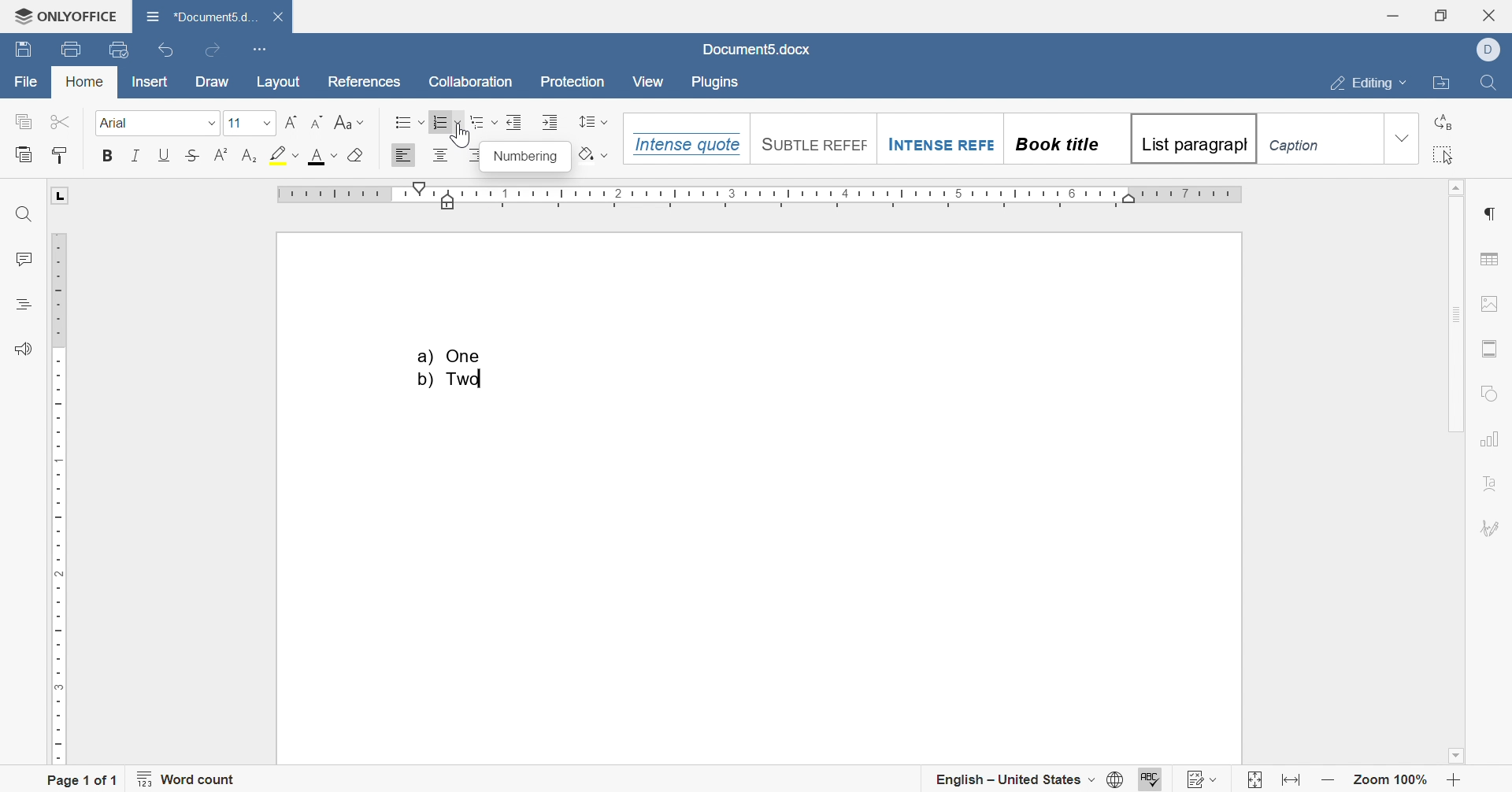  What do you see at coordinates (1455, 781) in the screenshot?
I see `zoom in` at bounding box center [1455, 781].